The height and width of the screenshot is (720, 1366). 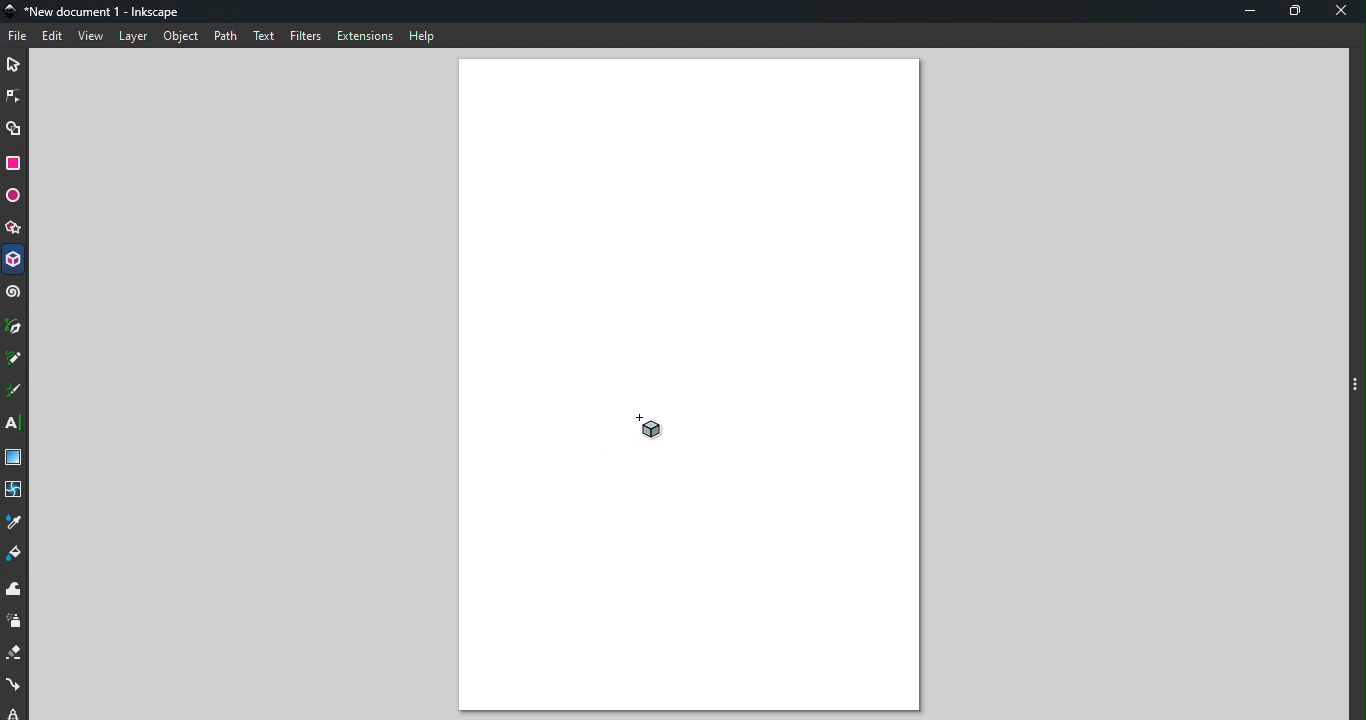 I want to click on Gradient tool, so click(x=15, y=455).